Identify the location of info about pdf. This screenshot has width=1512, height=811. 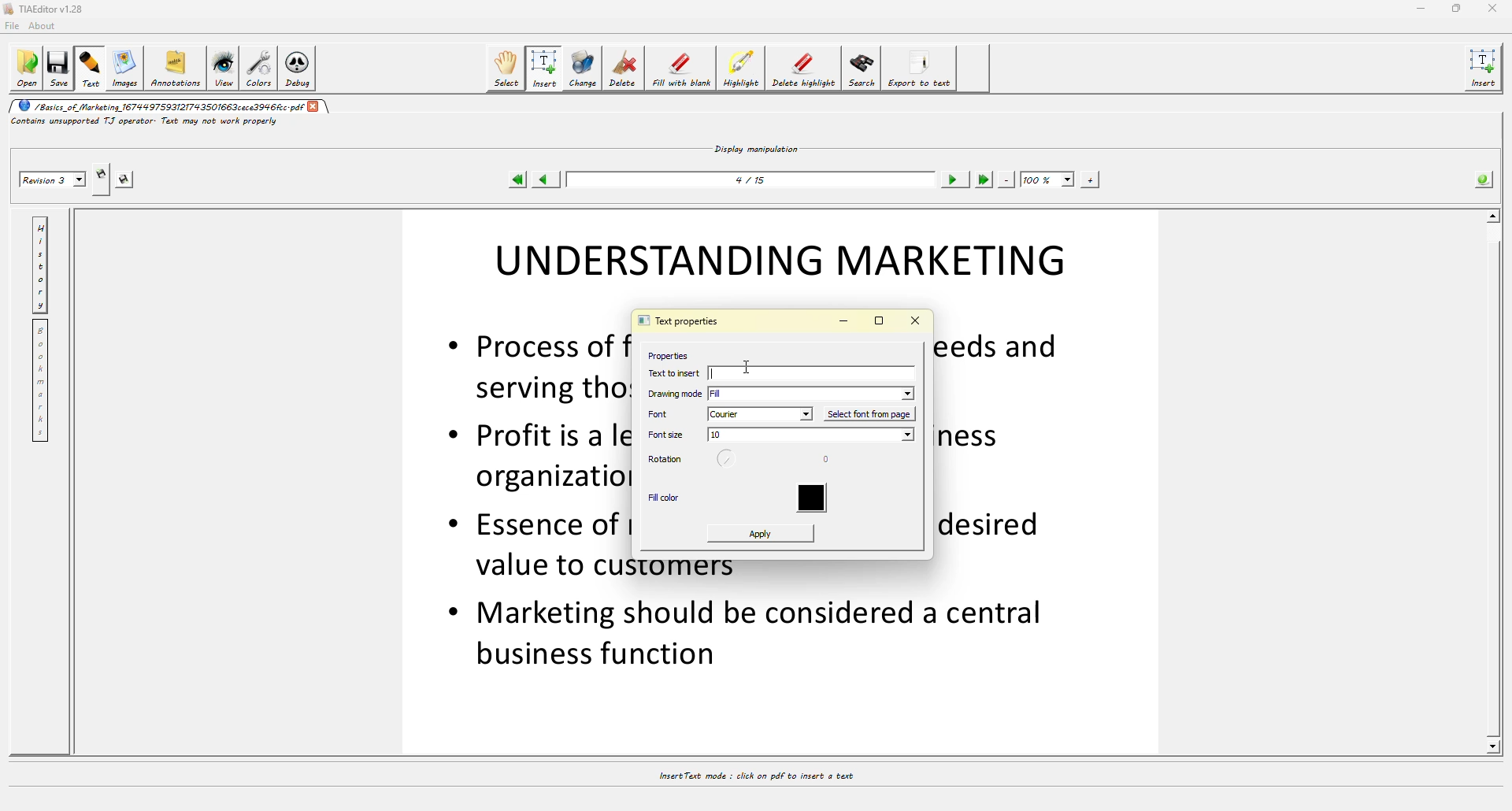
(1484, 178).